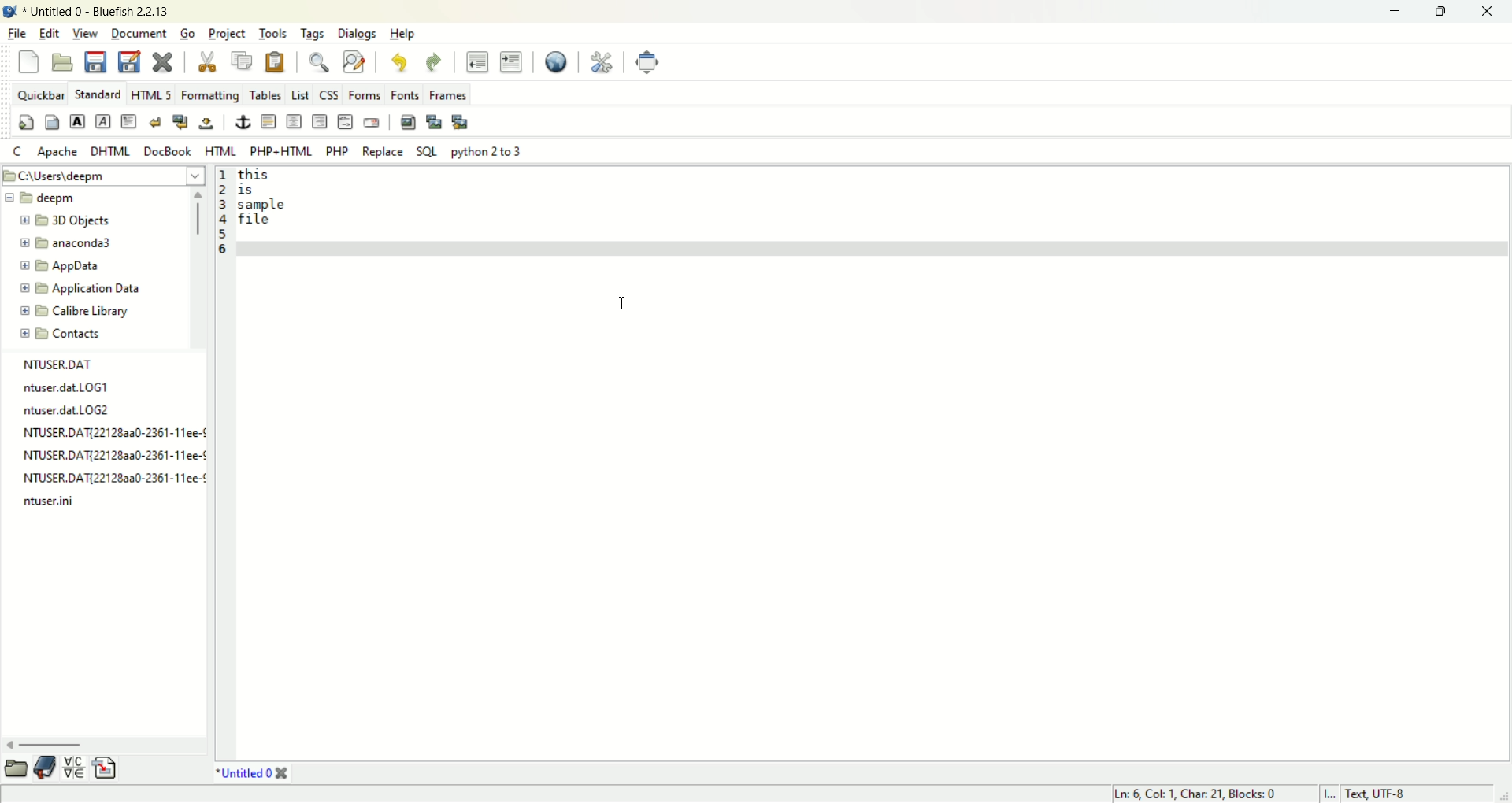  Describe the element at coordinates (355, 61) in the screenshot. I see `advanced find and replace` at that location.